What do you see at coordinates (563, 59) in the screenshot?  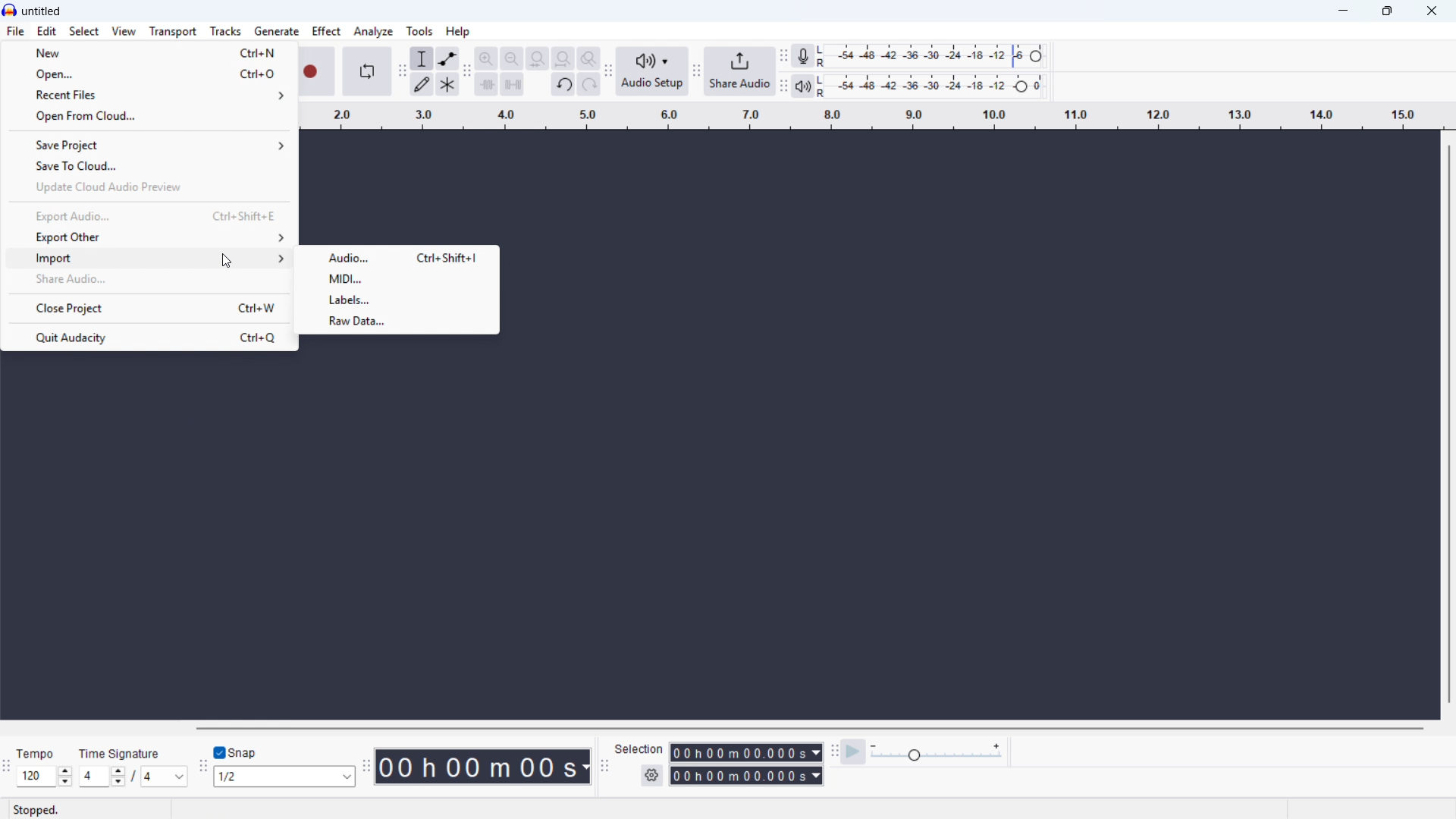 I see `` at bounding box center [563, 59].